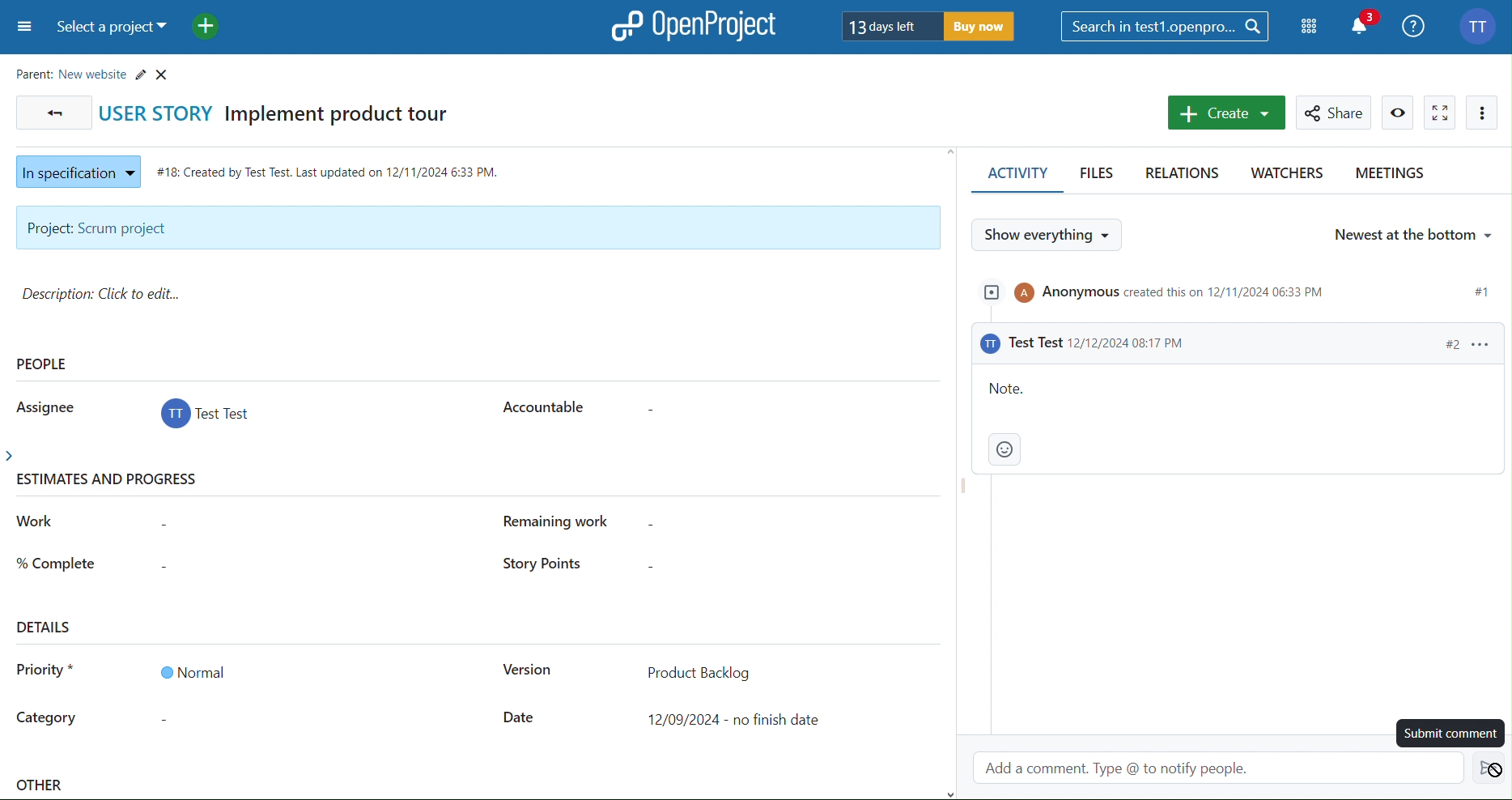 The width and height of the screenshot is (1512, 800). I want to click on % Complete, so click(56, 561).